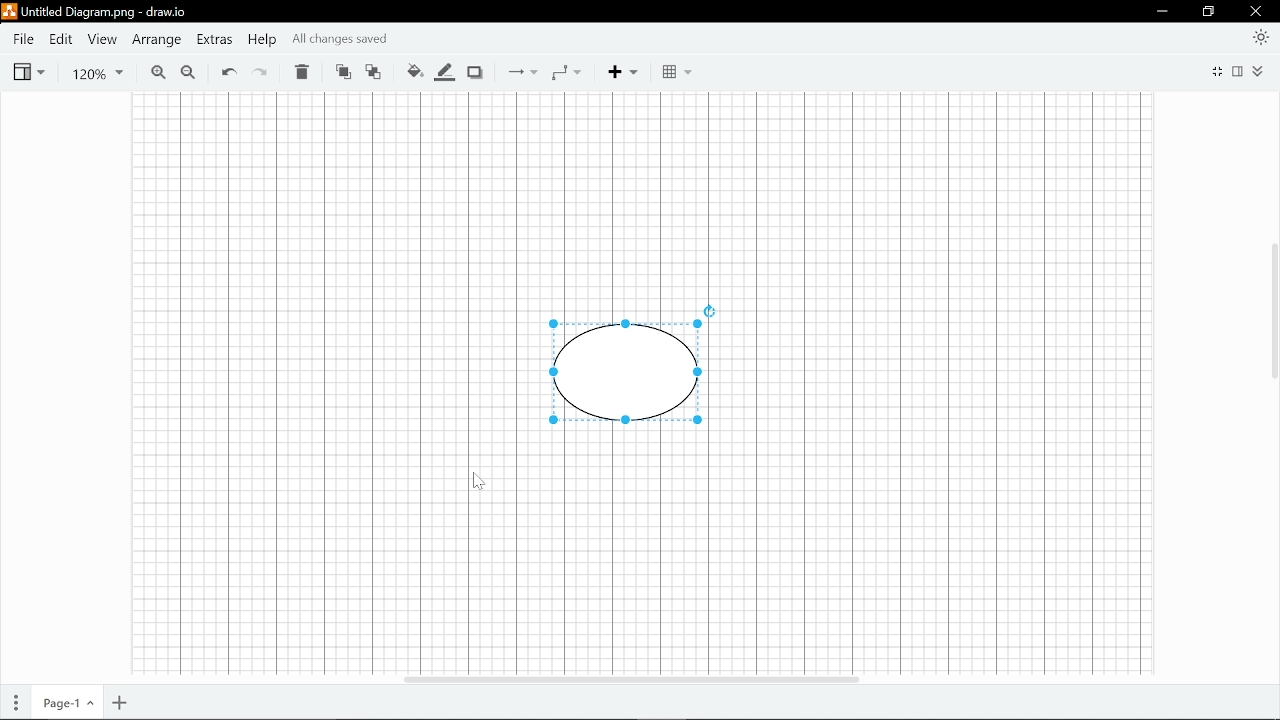 The height and width of the screenshot is (720, 1280). Describe the element at coordinates (259, 70) in the screenshot. I see `redo` at that location.